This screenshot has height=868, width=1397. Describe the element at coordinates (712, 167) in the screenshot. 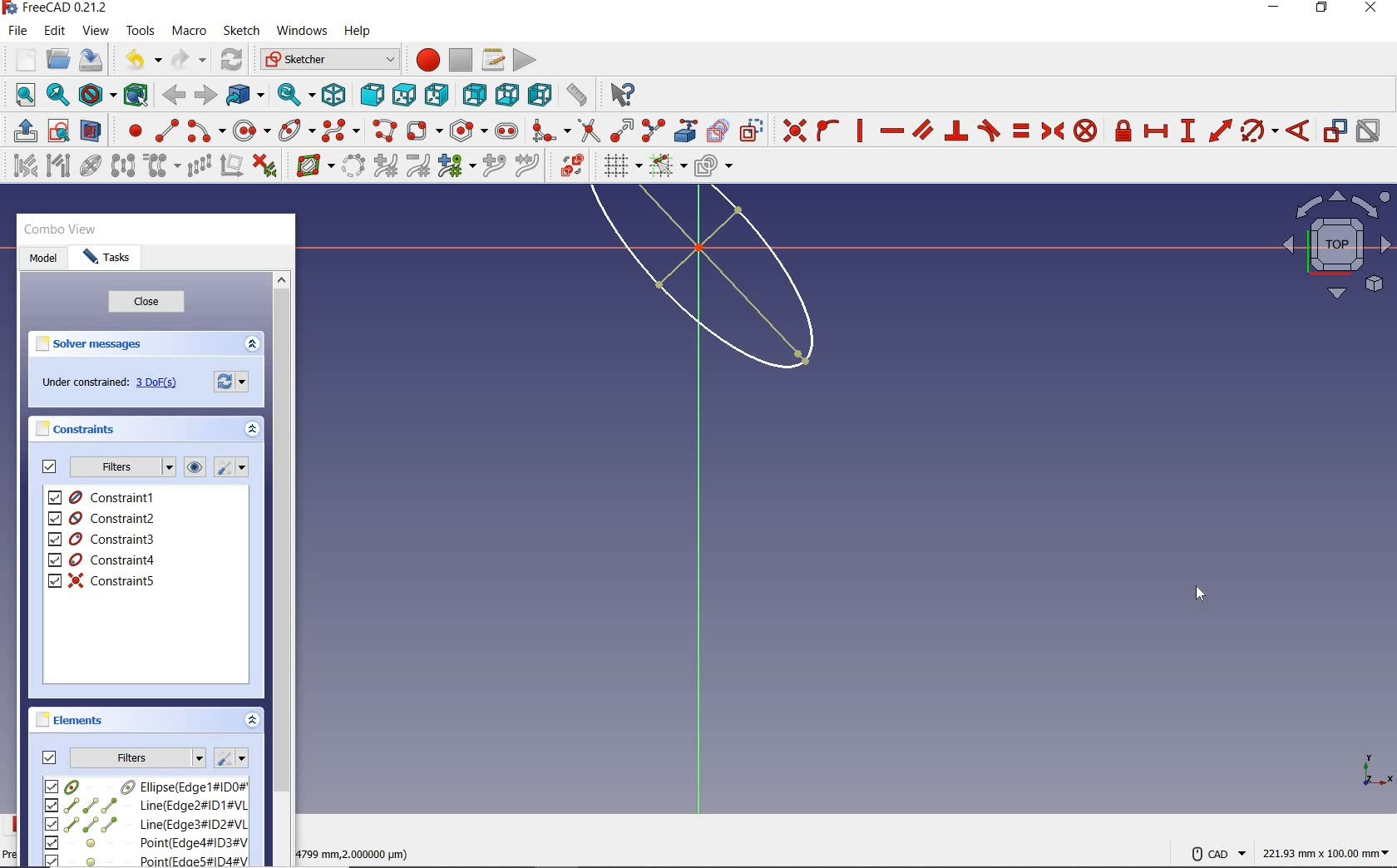

I see `configure rendering order` at that location.